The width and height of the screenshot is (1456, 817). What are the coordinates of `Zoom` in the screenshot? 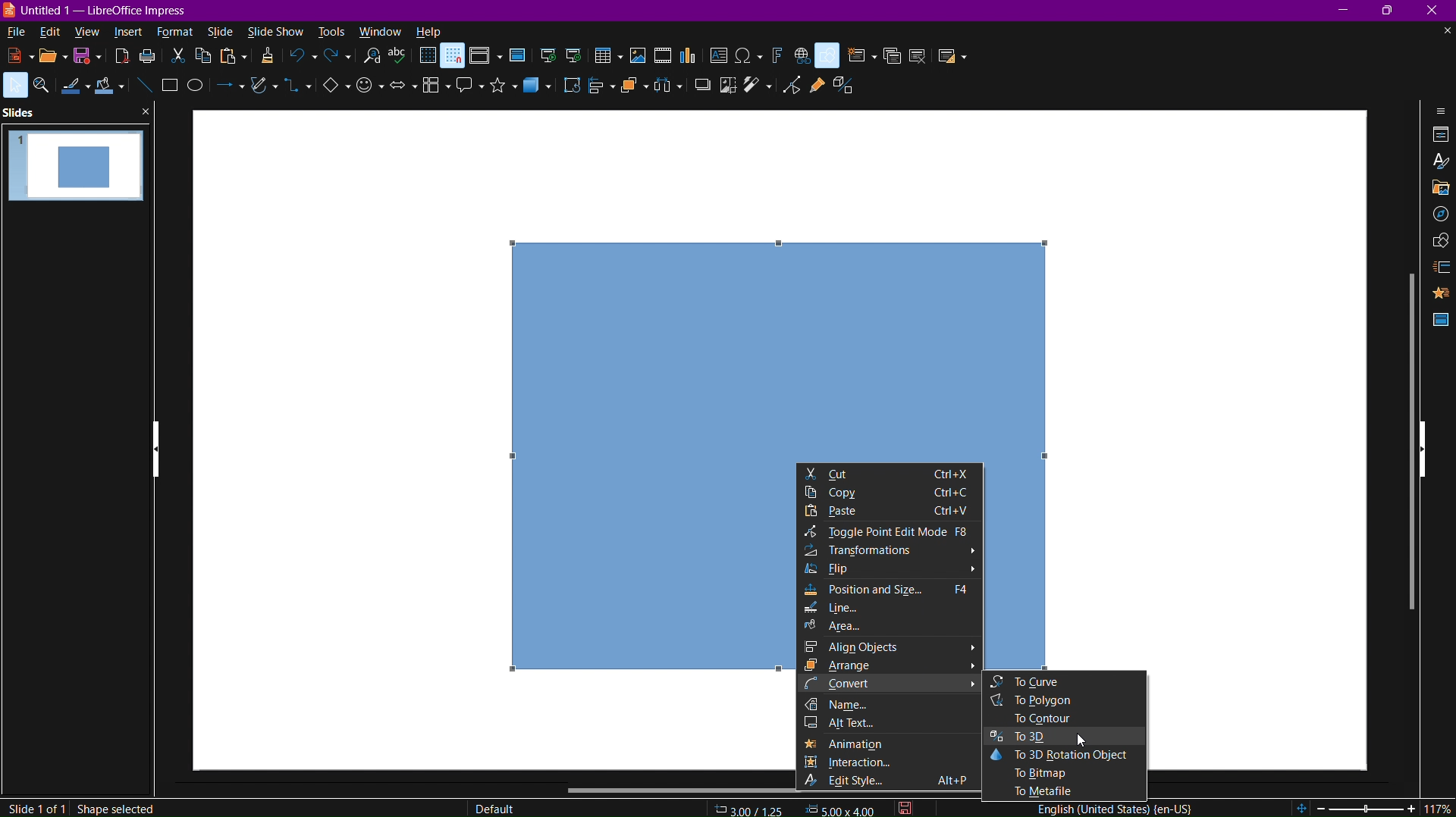 It's located at (42, 86).